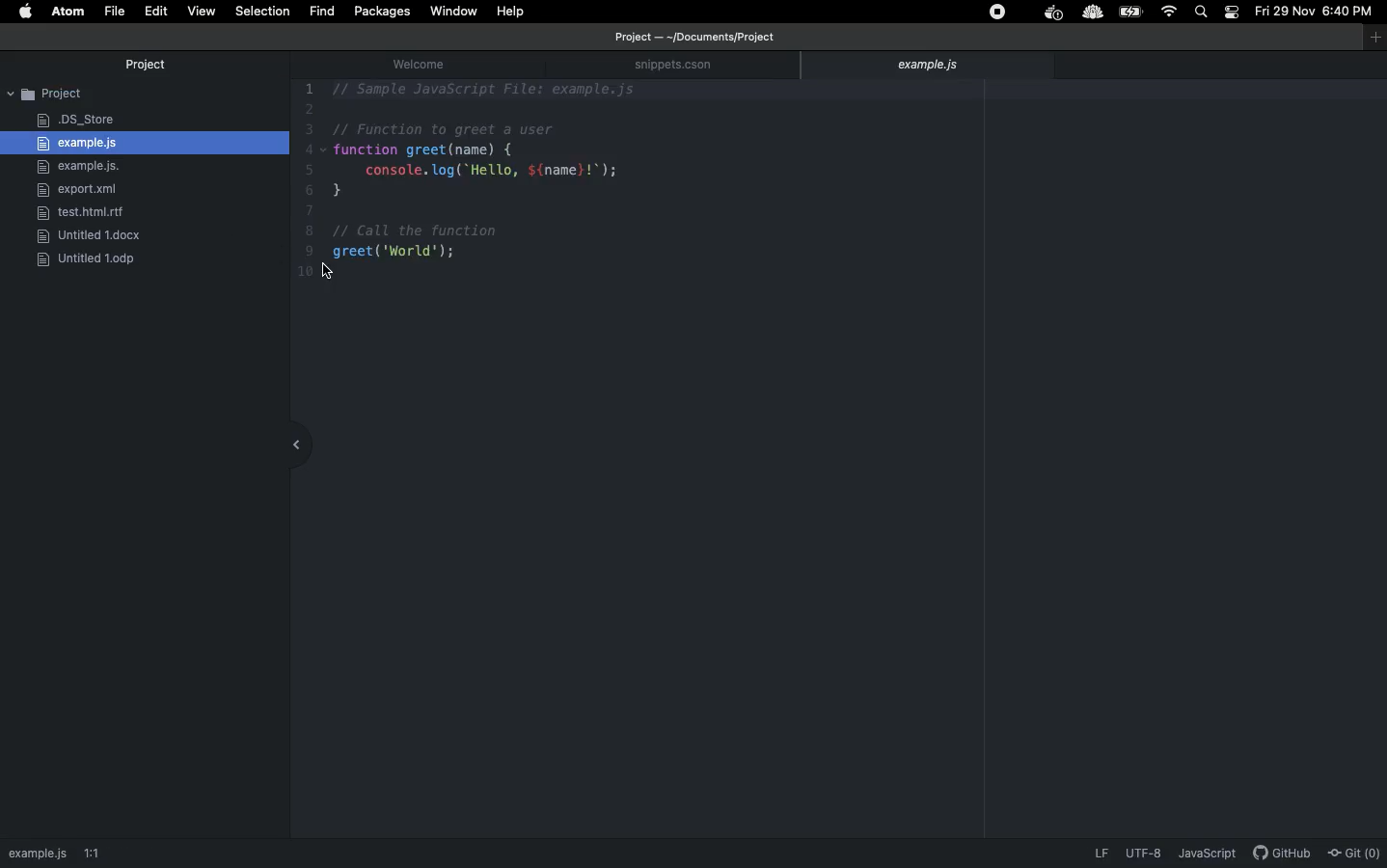 The height and width of the screenshot is (868, 1387). What do you see at coordinates (457, 12) in the screenshot?
I see `Window` at bounding box center [457, 12].